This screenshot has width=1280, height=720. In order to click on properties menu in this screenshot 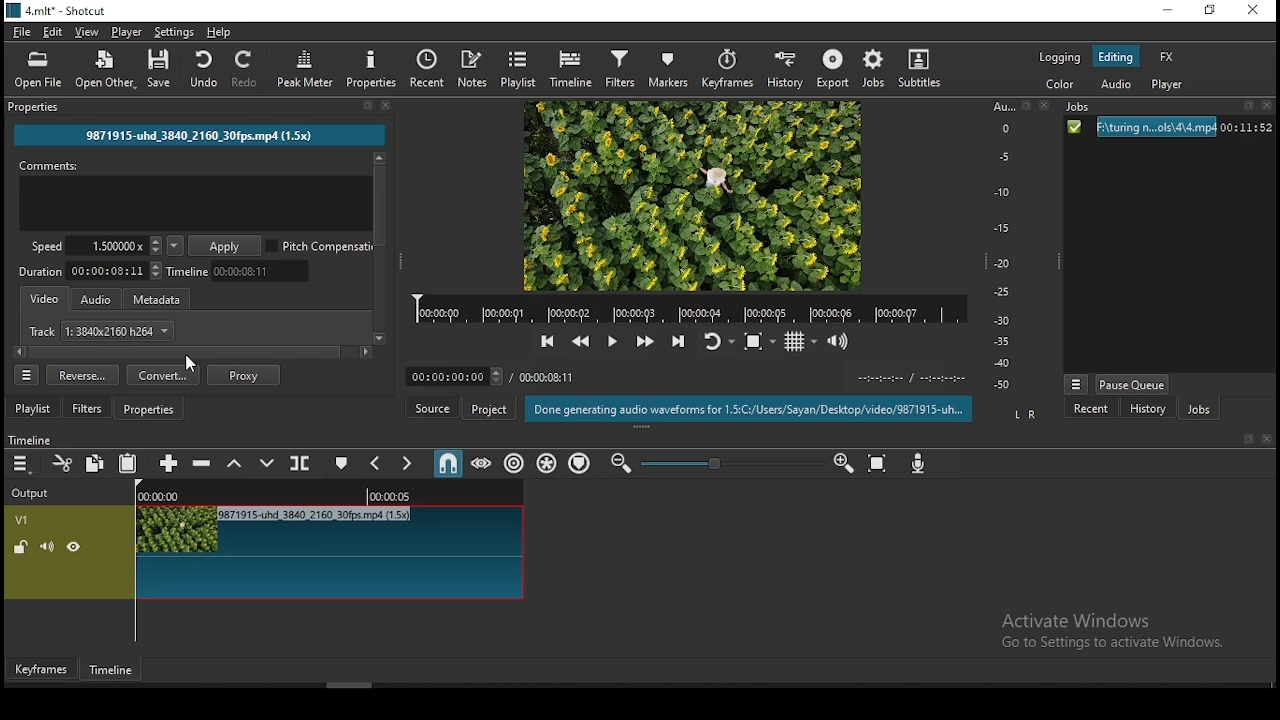, I will do `click(27, 375)`.